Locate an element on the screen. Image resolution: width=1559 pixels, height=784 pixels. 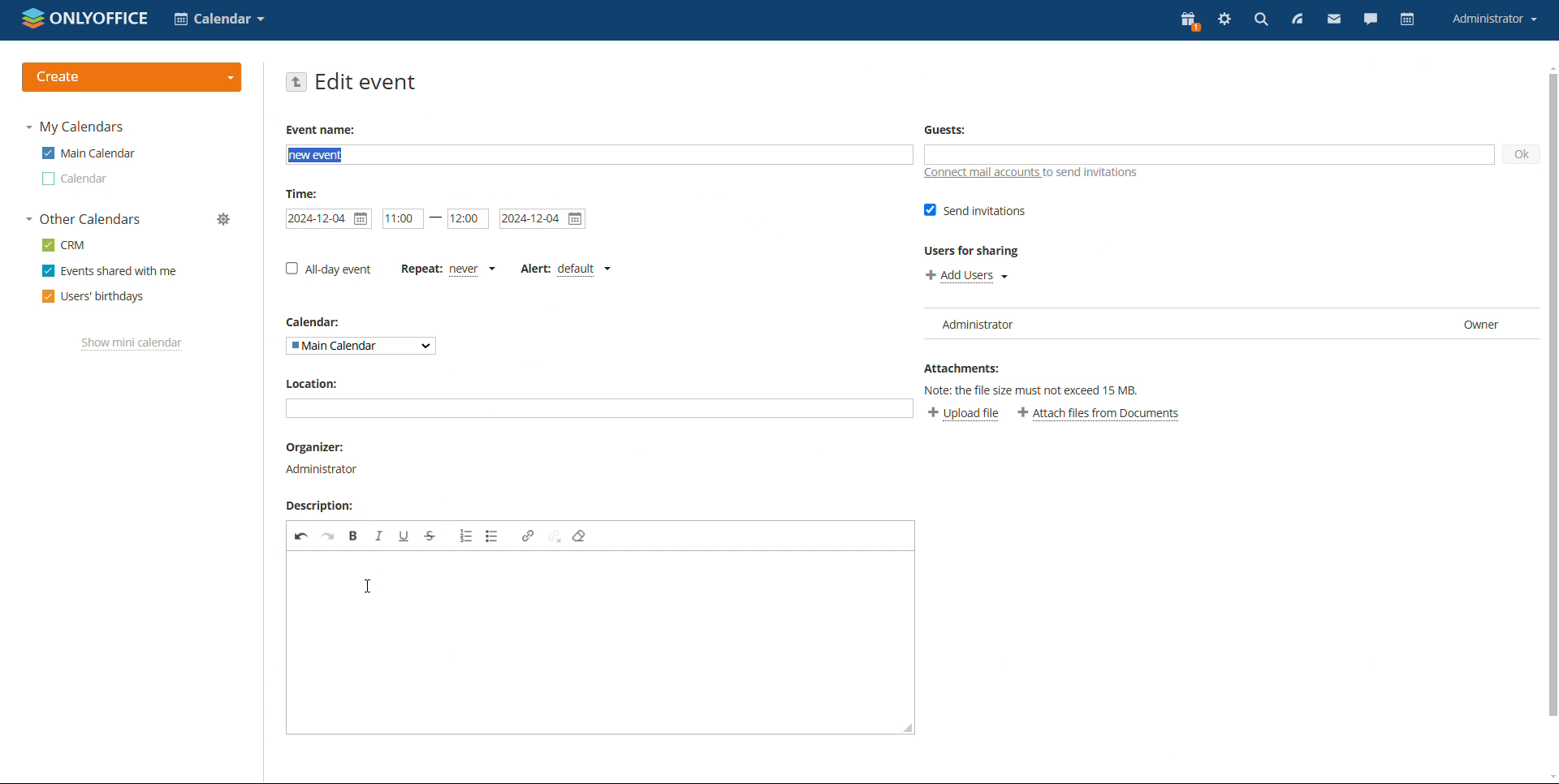
default  is located at coordinates (582, 266).